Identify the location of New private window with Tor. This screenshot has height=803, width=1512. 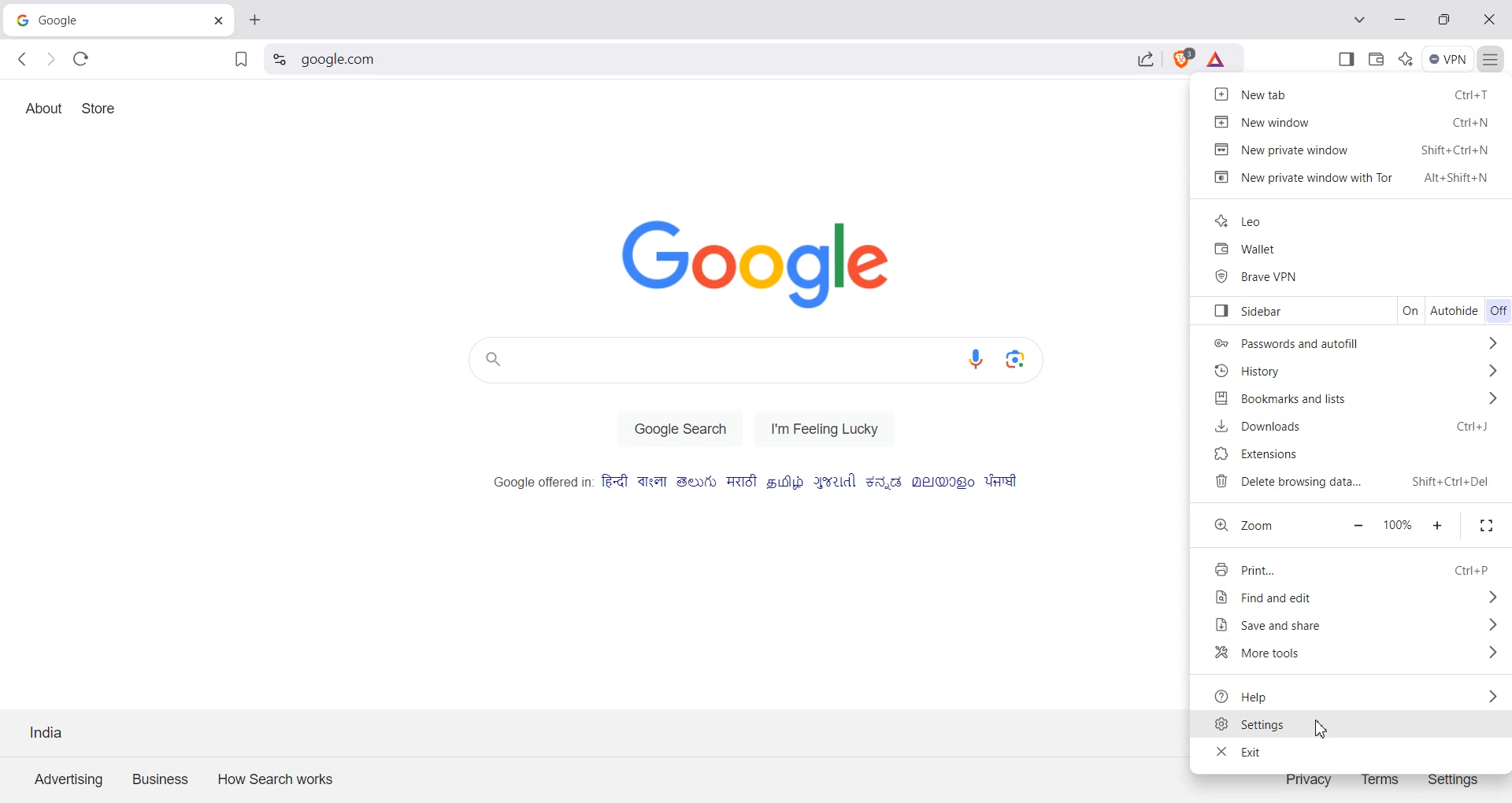
(1354, 178).